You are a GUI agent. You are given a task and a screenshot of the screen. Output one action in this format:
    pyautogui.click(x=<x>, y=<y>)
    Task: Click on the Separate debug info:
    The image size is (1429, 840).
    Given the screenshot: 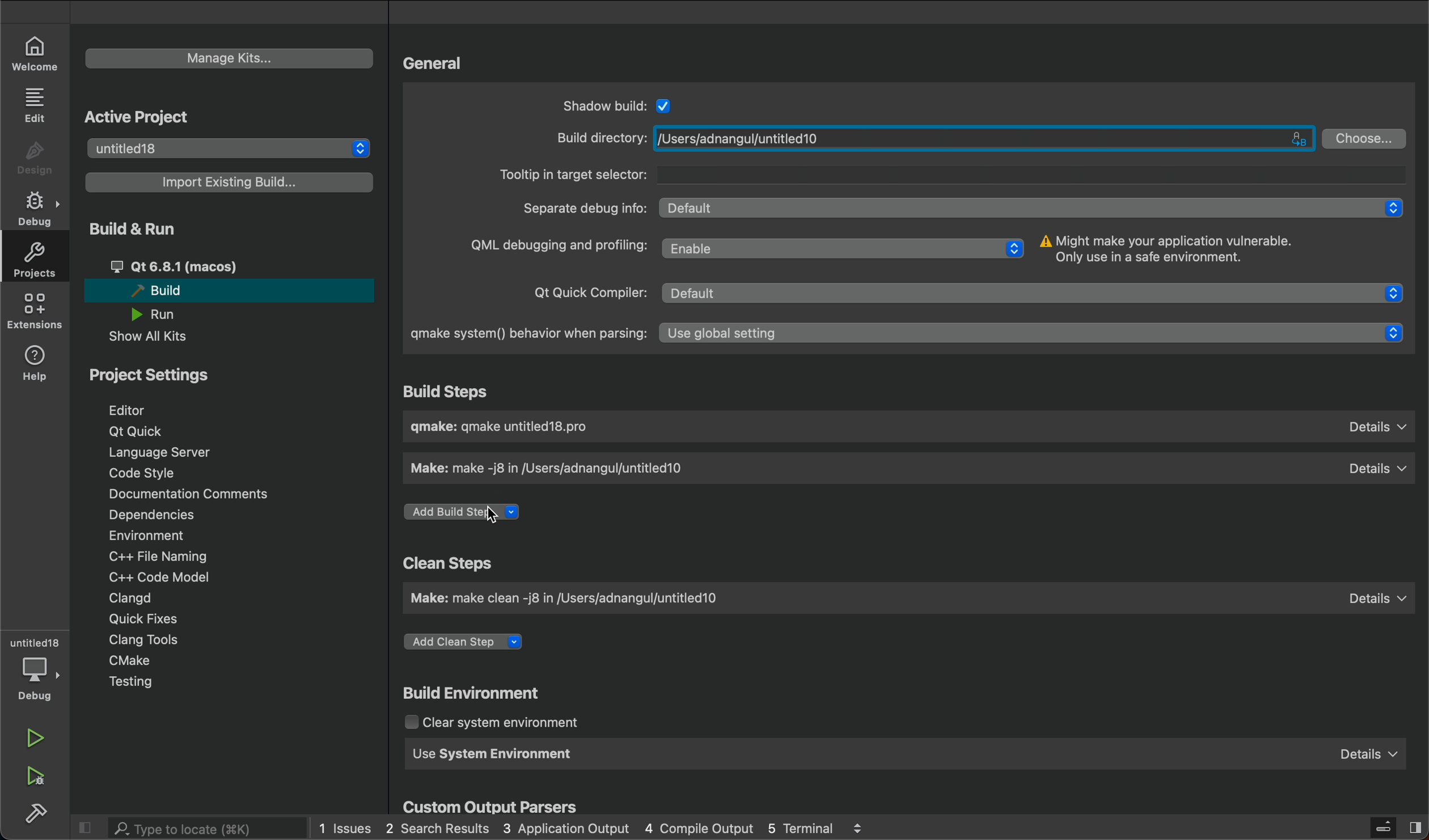 What is the action you would take?
    pyautogui.click(x=581, y=208)
    